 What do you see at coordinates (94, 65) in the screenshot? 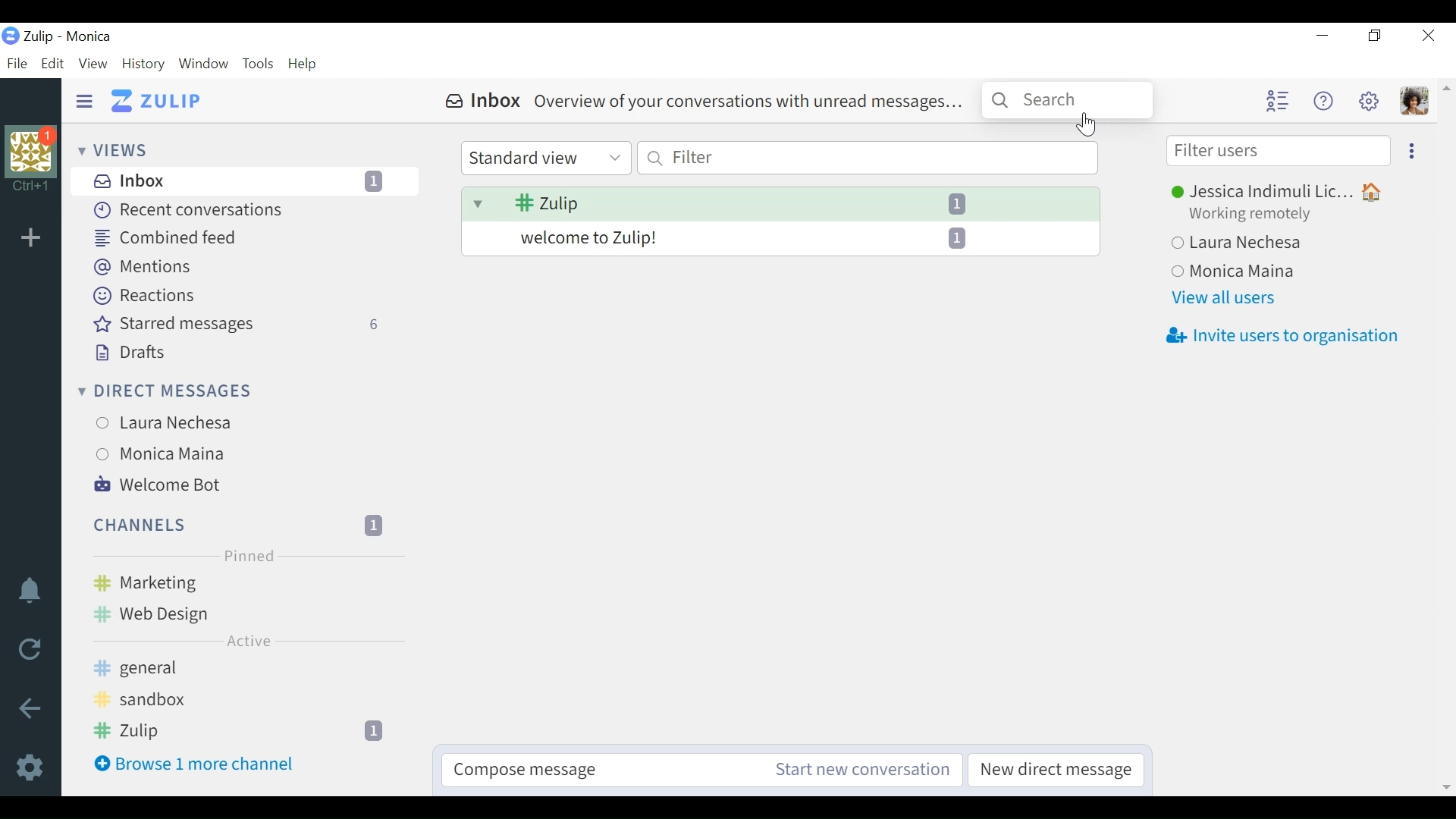
I see `View` at bounding box center [94, 65].